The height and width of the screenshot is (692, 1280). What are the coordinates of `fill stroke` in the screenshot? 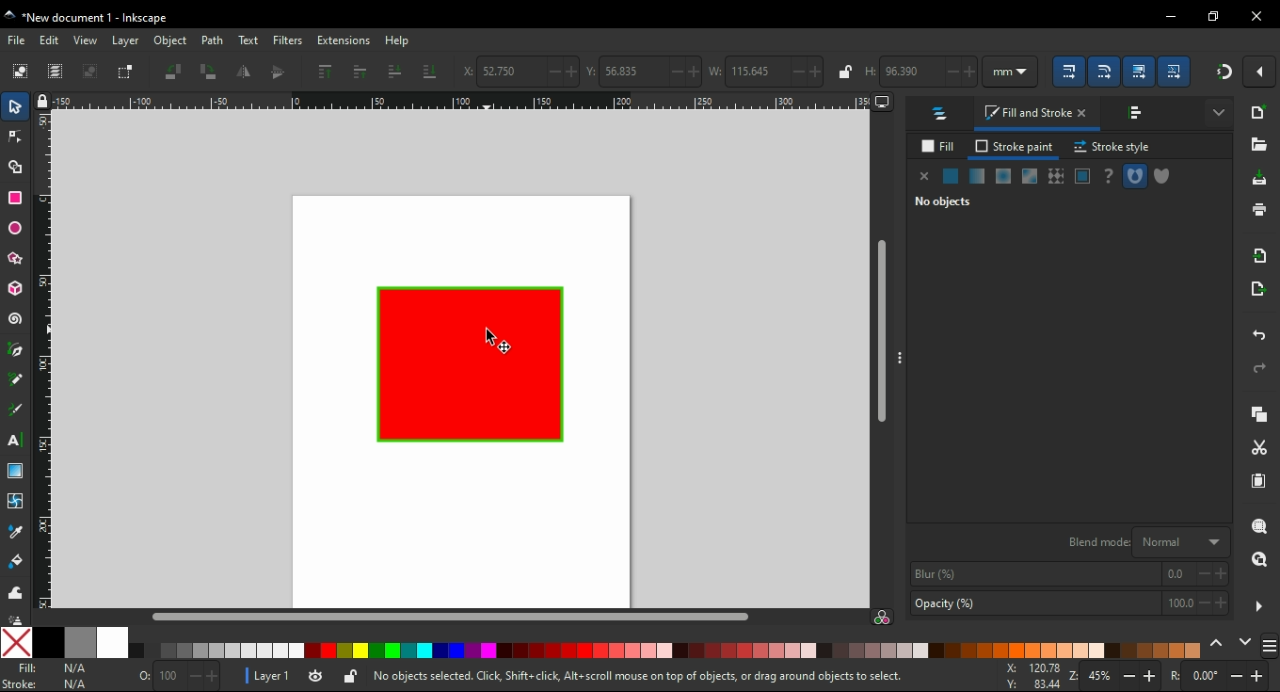 It's located at (1037, 115).